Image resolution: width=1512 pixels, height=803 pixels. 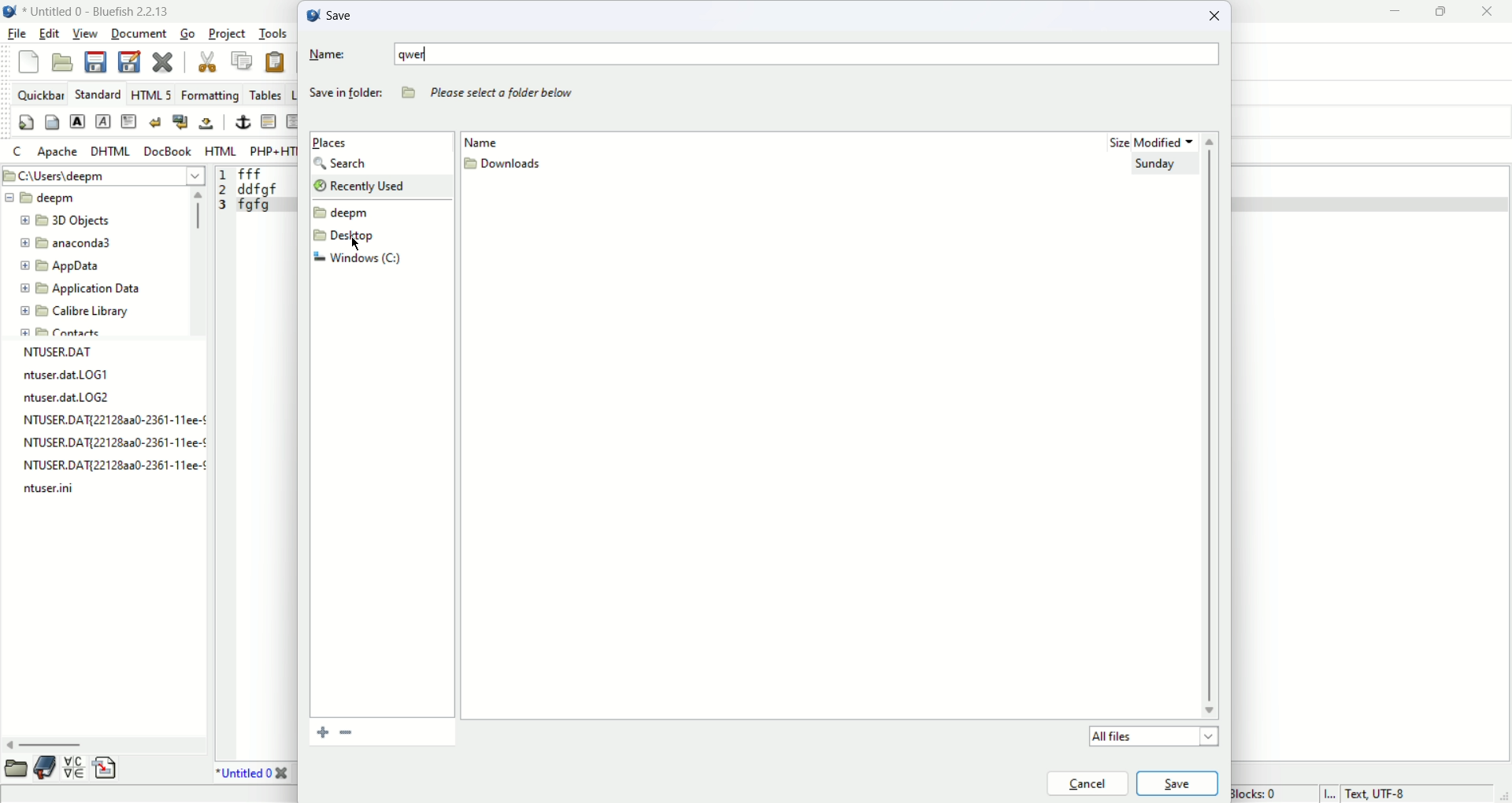 What do you see at coordinates (109, 444) in the screenshot?
I see `file name` at bounding box center [109, 444].